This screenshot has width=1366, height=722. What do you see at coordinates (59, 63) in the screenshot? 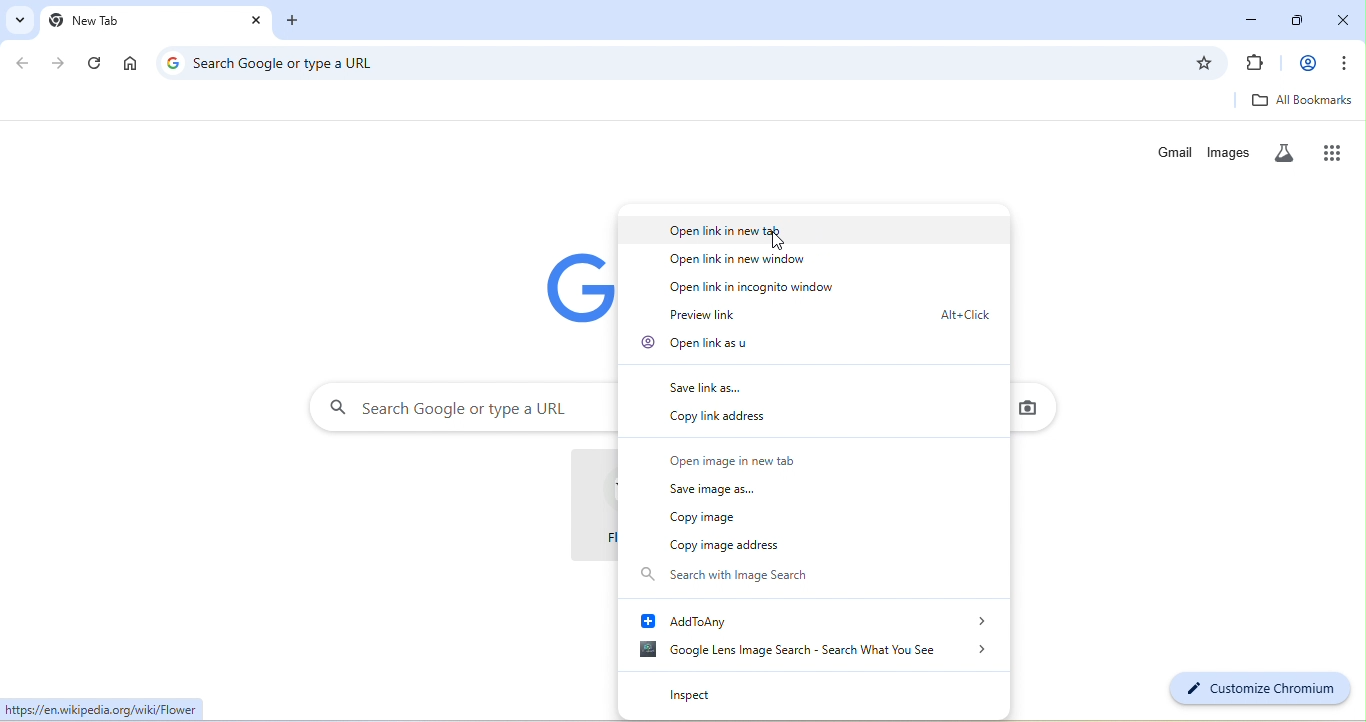
I see `forward` at bounding box center [59, 63].